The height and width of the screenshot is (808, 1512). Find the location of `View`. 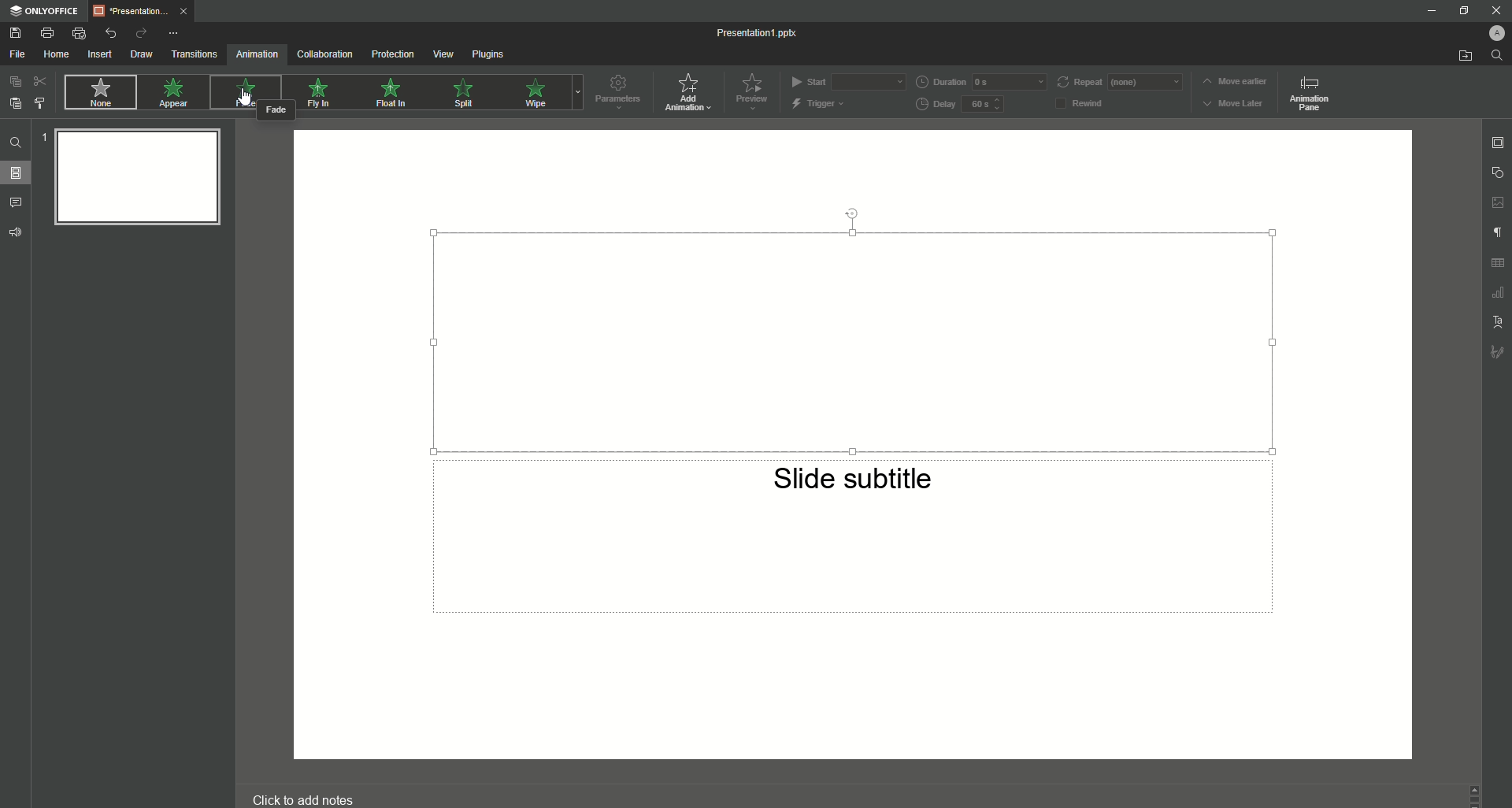

View is located at coordinates (441, 54).